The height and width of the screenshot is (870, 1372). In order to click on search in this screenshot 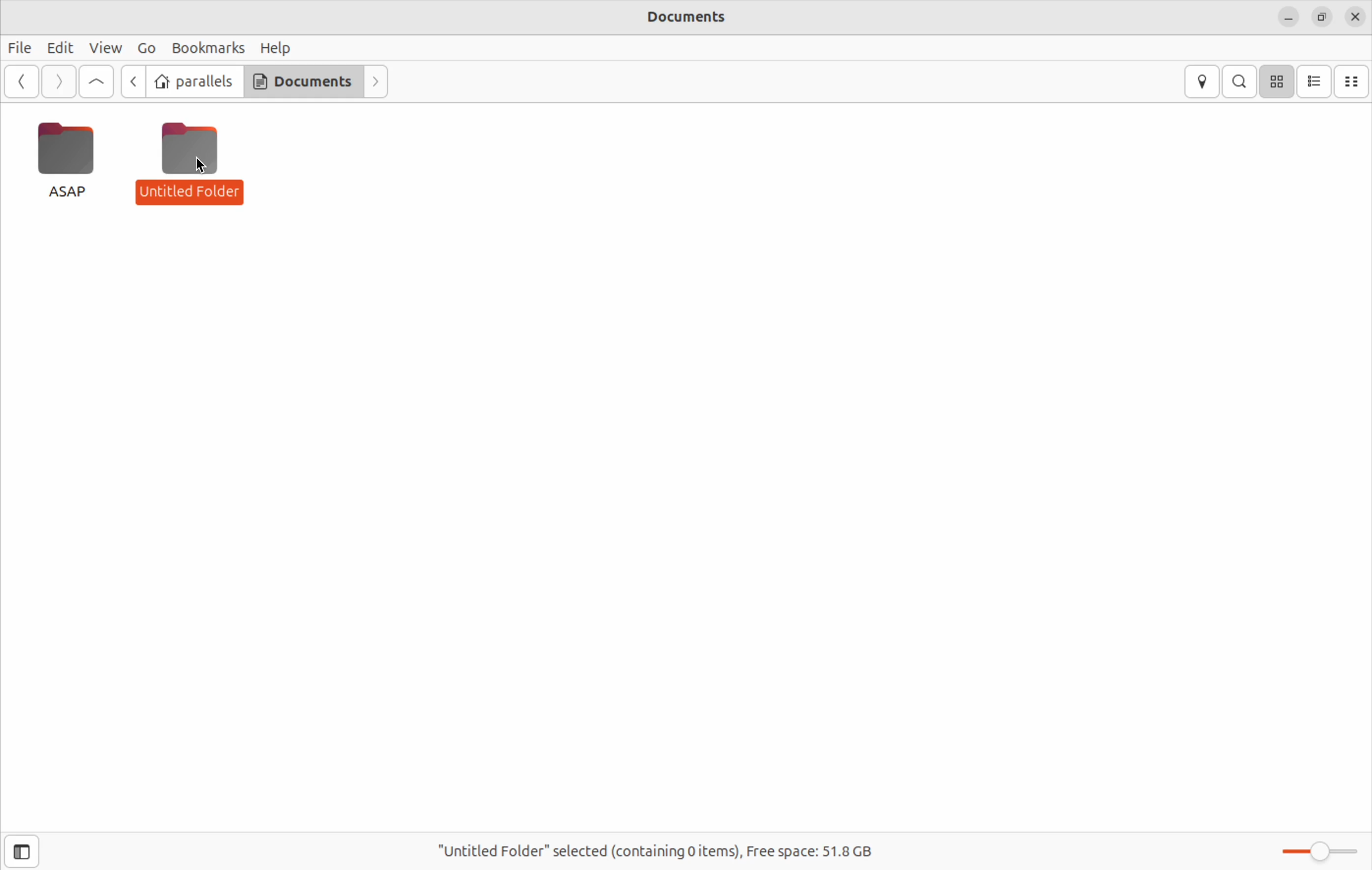, I will do `click(1242, 81)`.